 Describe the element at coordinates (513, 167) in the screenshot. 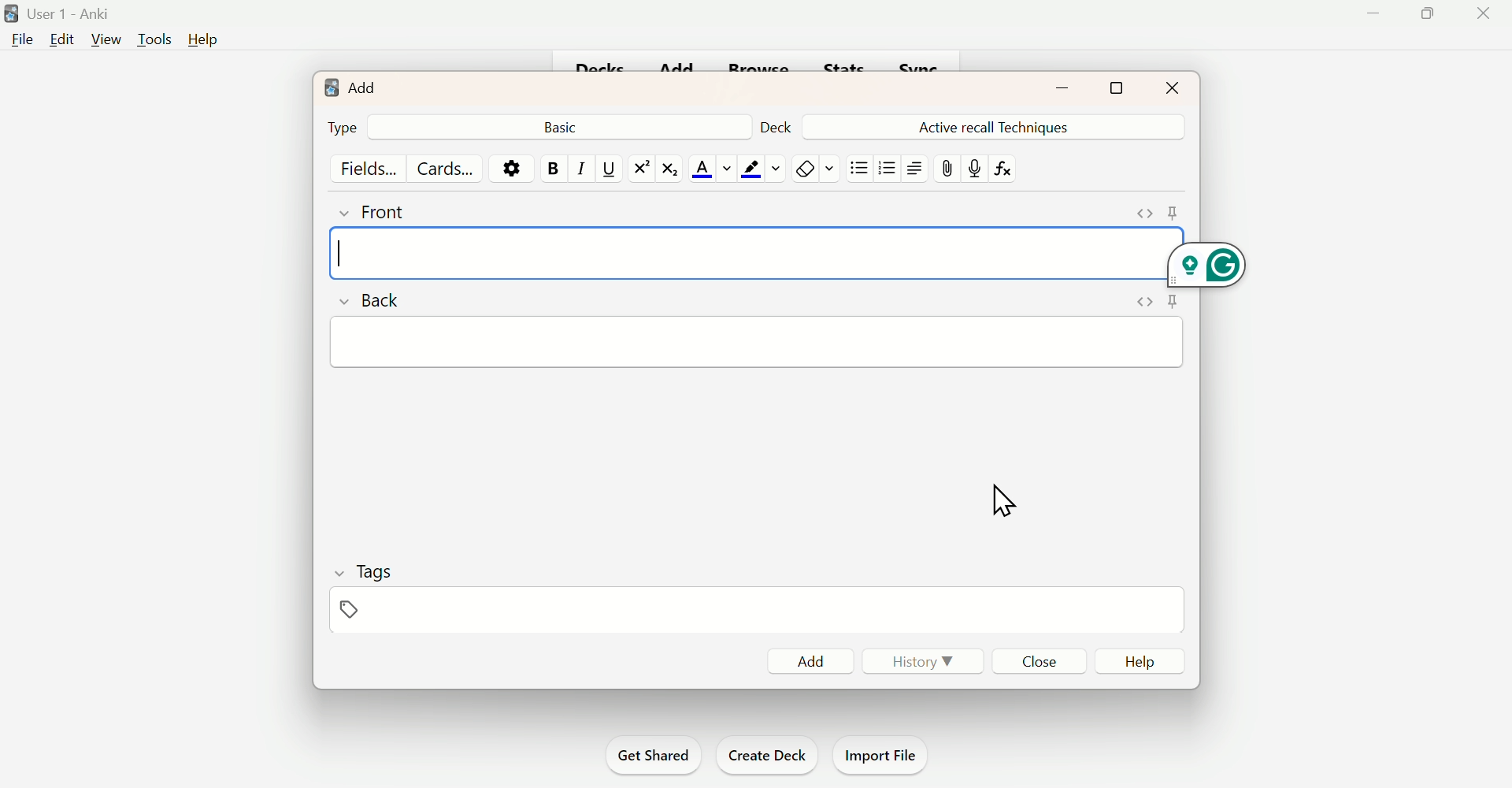

I see `Options` at that location.